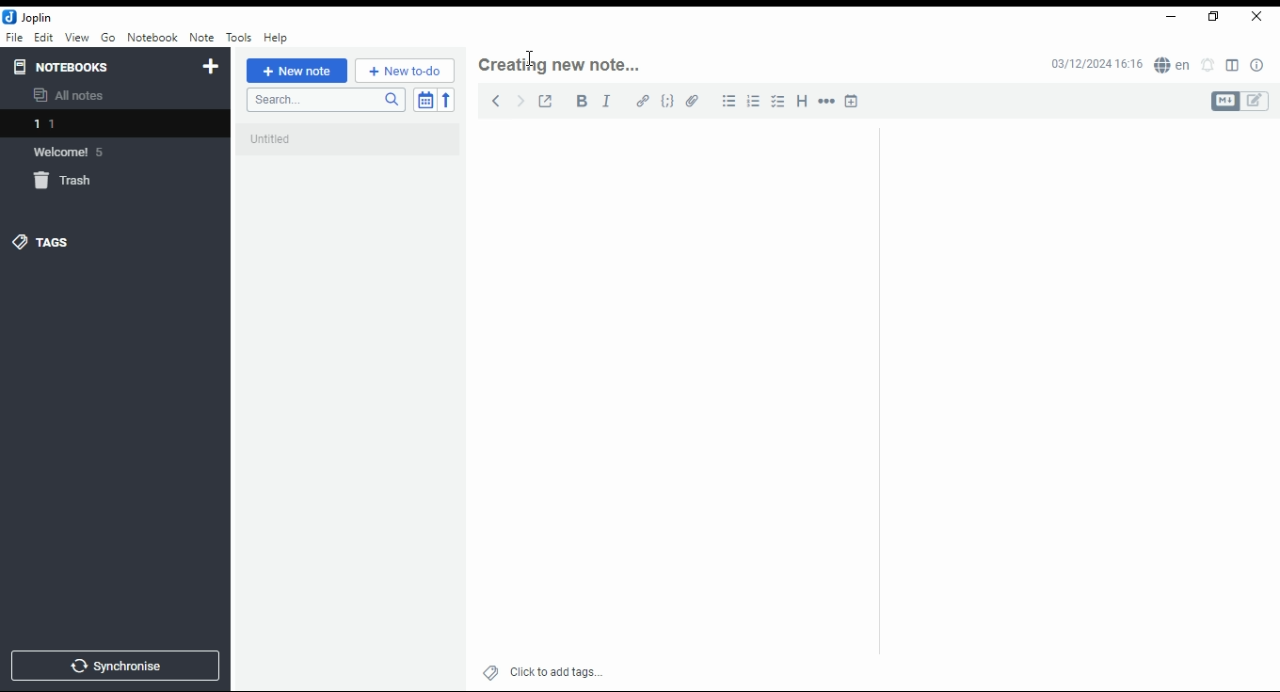 The image size is (1280, 692). Describe the element at coordinates (1168, 18) in the screenshot. I see `minimize` at that location.